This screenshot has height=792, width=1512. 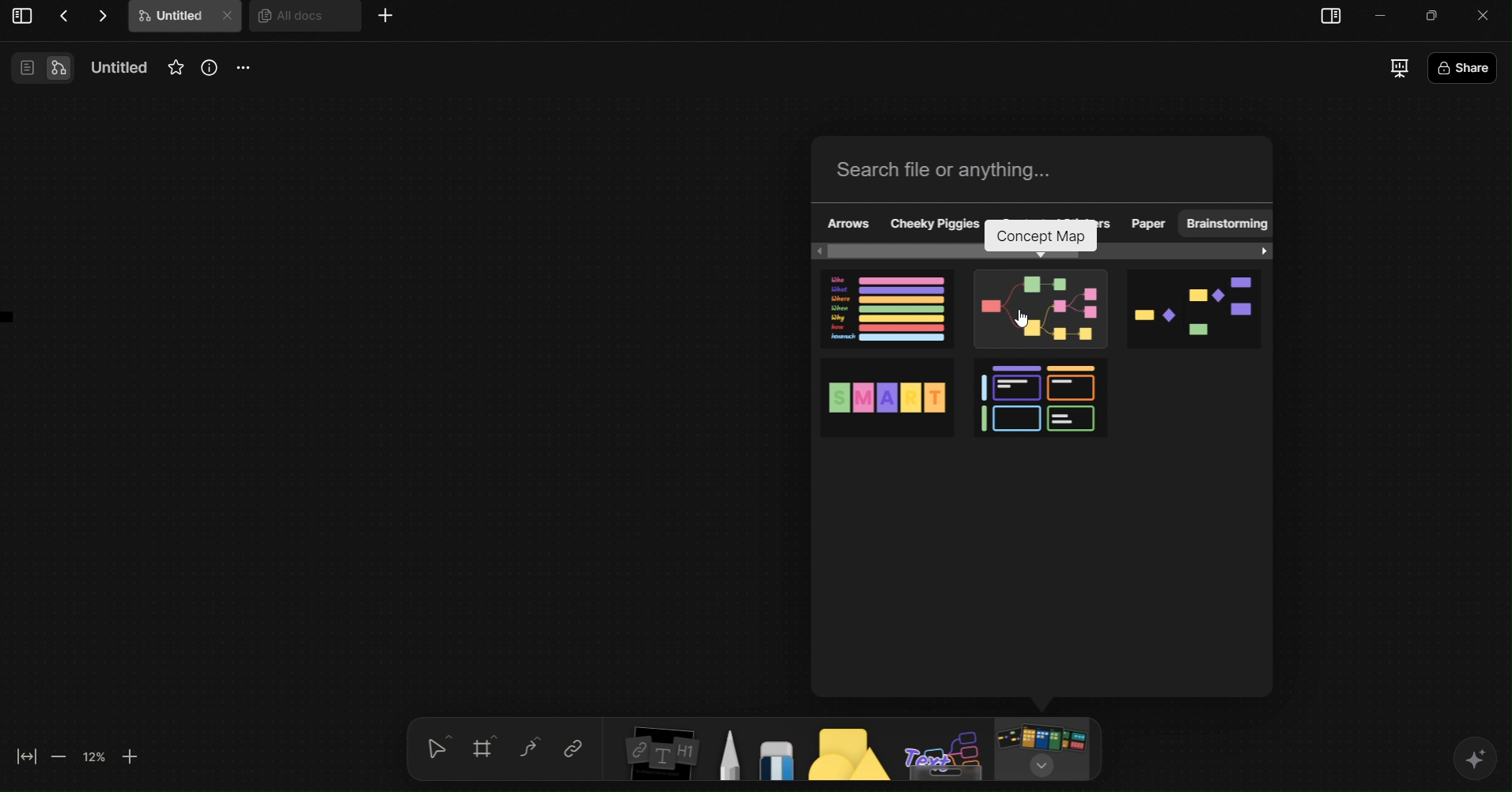 I want to click on 4-Quadrant Matrix, so click(x=1036, y=401).